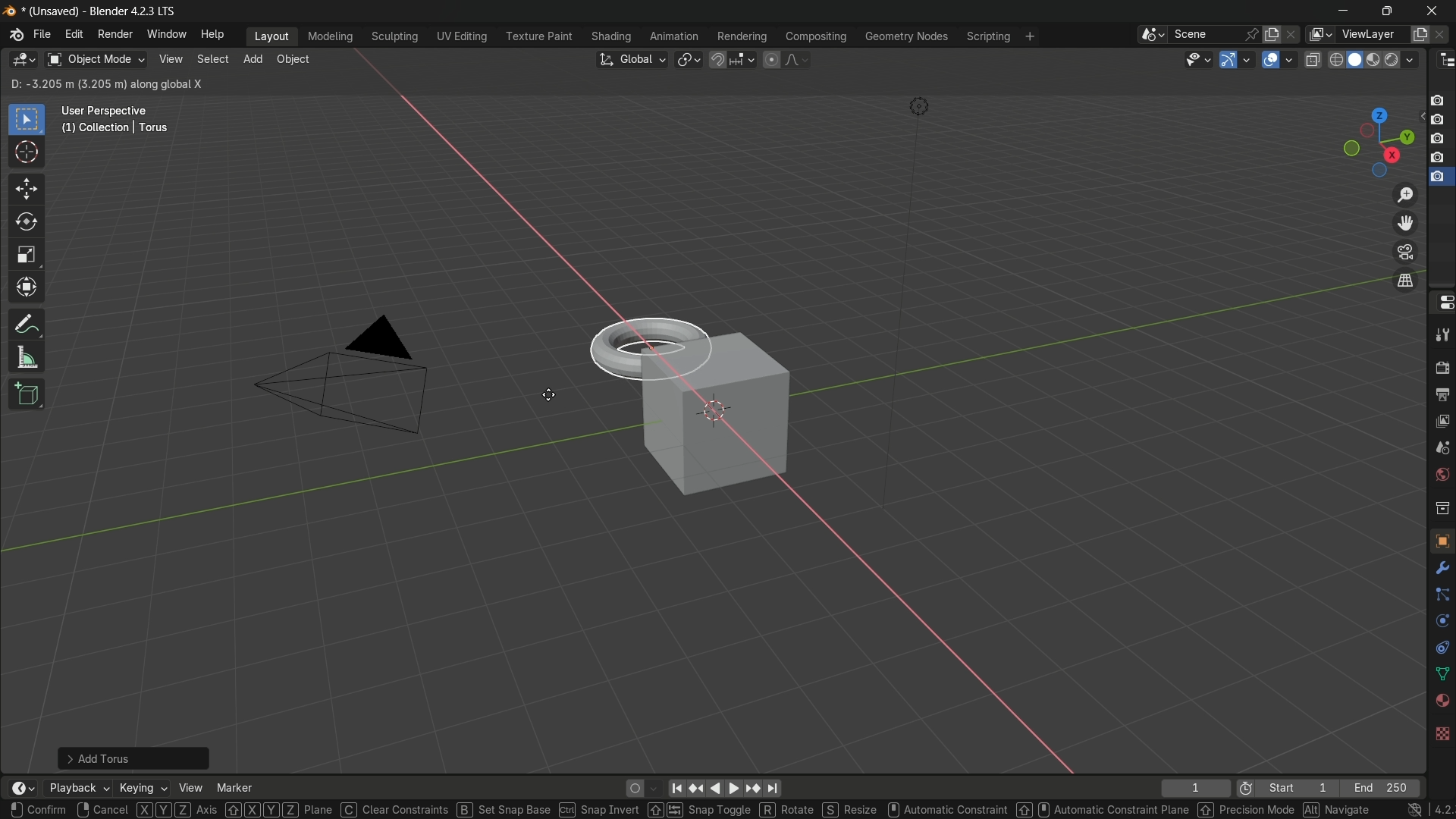  I want to click on cursor, so click(27, 153).